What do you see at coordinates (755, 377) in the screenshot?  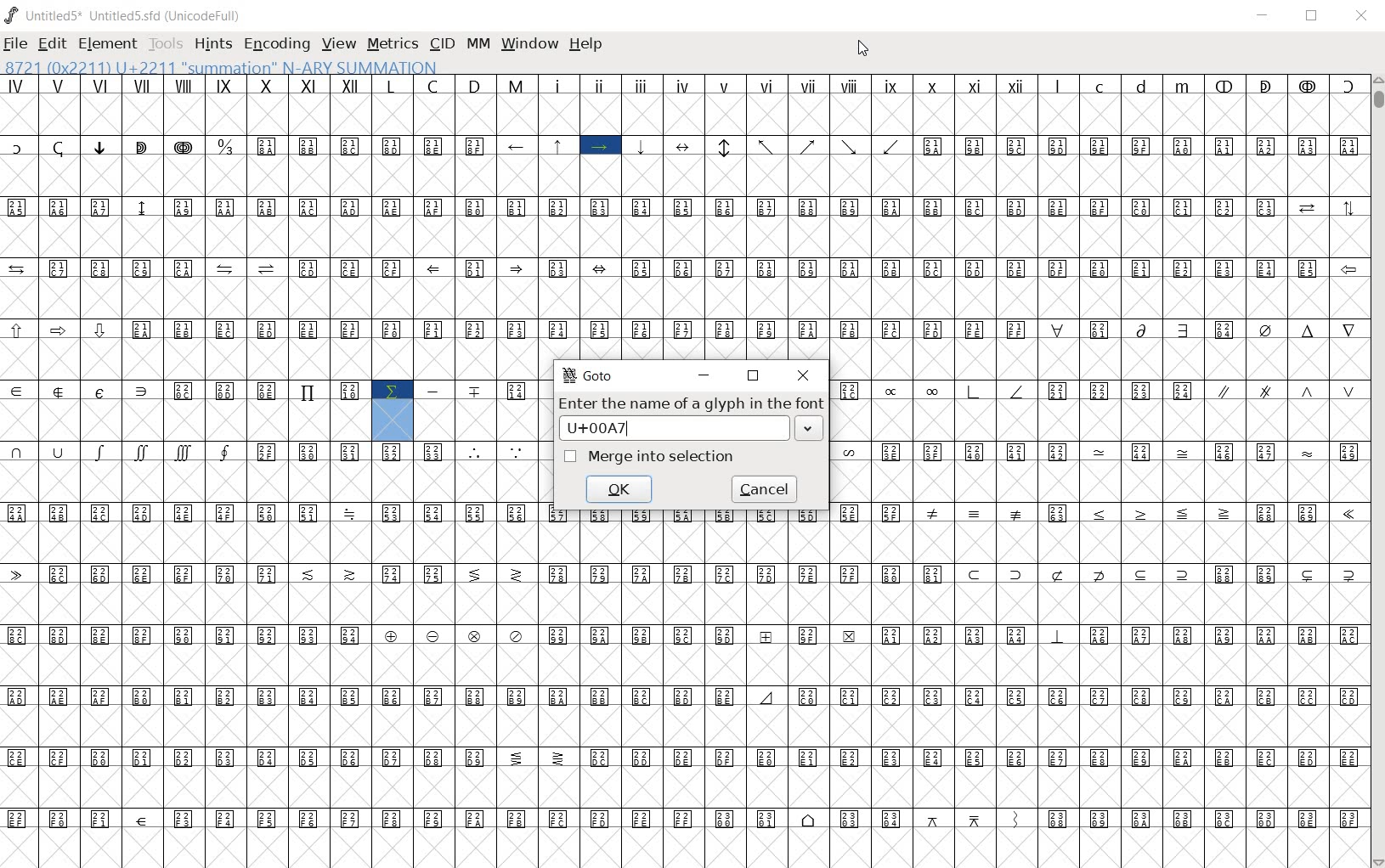 I see `restore` at bounding box center [755, 377].